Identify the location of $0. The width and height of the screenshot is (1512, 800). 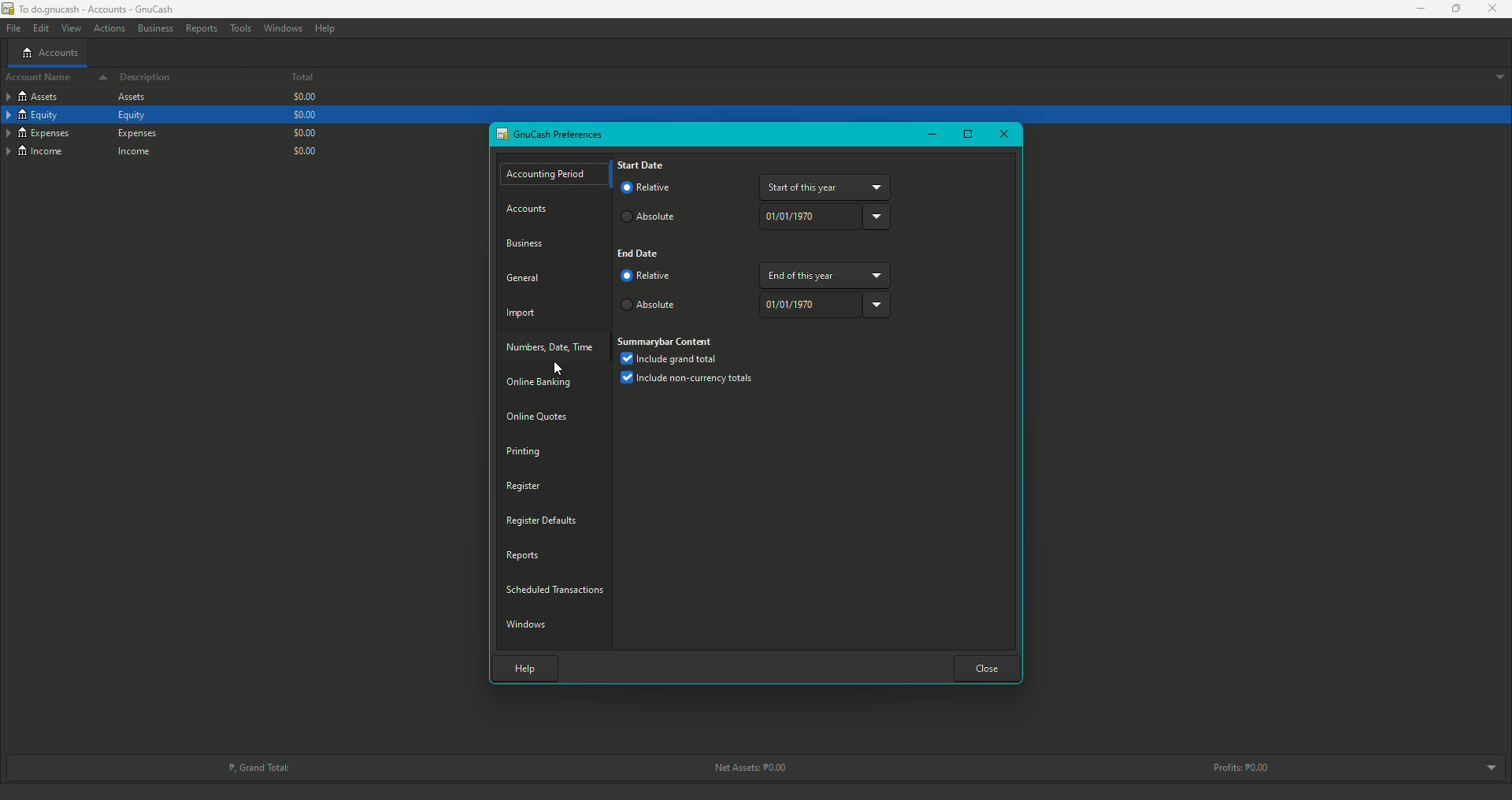
(303, 131).